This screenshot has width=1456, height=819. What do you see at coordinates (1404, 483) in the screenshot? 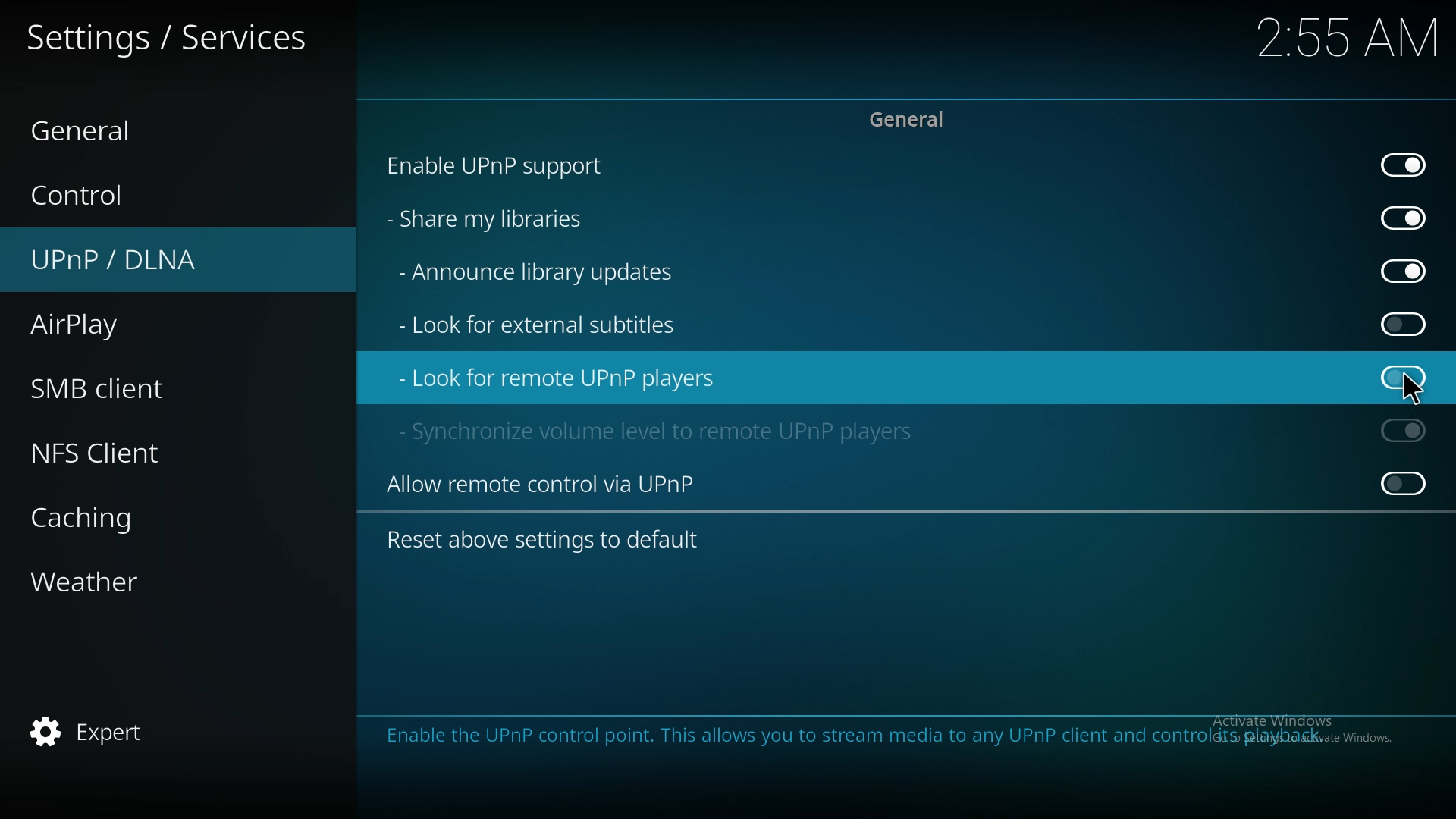
I see `Off` at bounding box center [1404, 483].